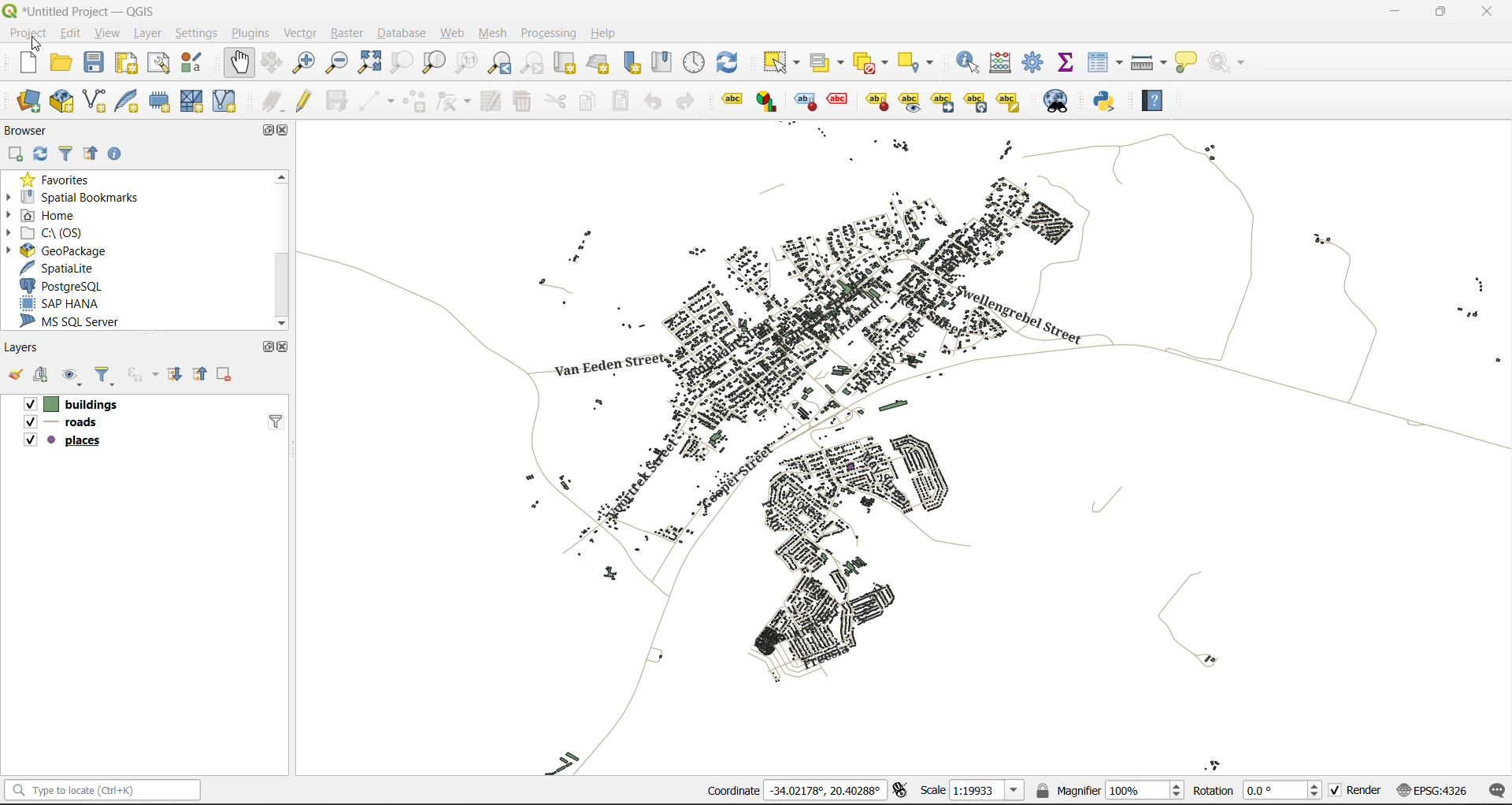 The image size is (1512, 805). I want to click on scale, so click(968, 791).